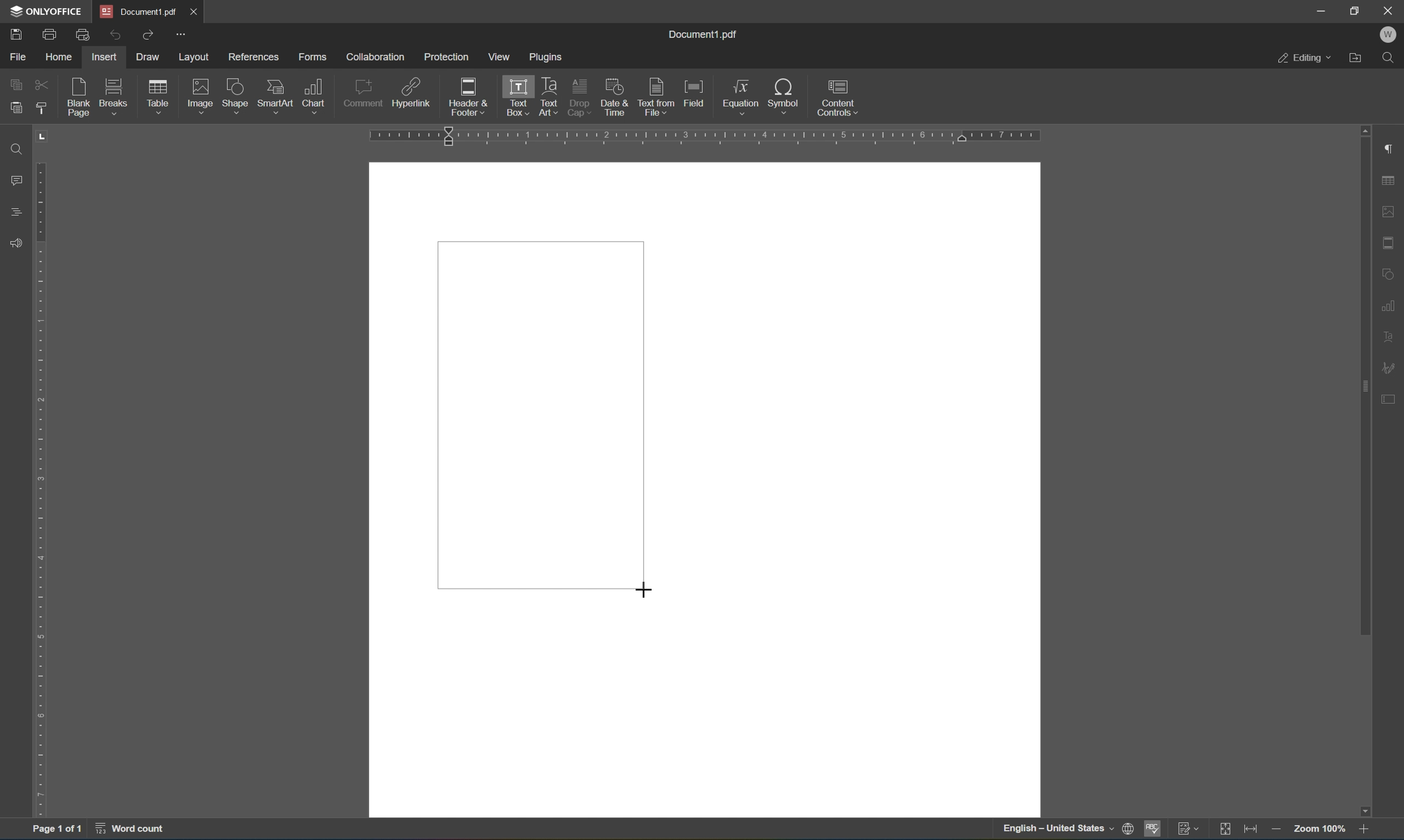  Describe the element at coordinates (469, 98) in the screenshot. I see `header and footer` at that location.